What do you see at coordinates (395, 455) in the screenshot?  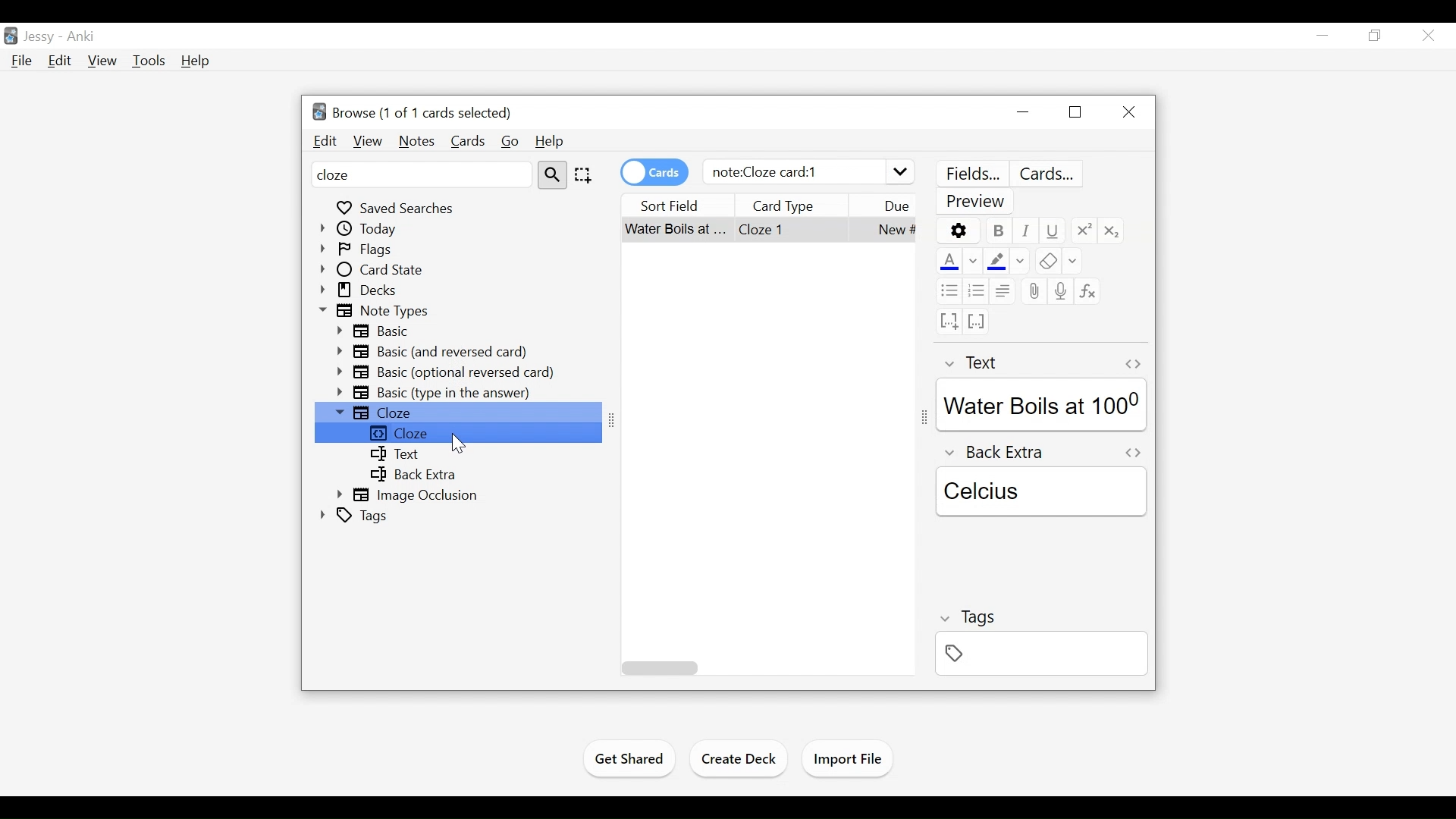 I see `Text` at bounding box center [395, 455].